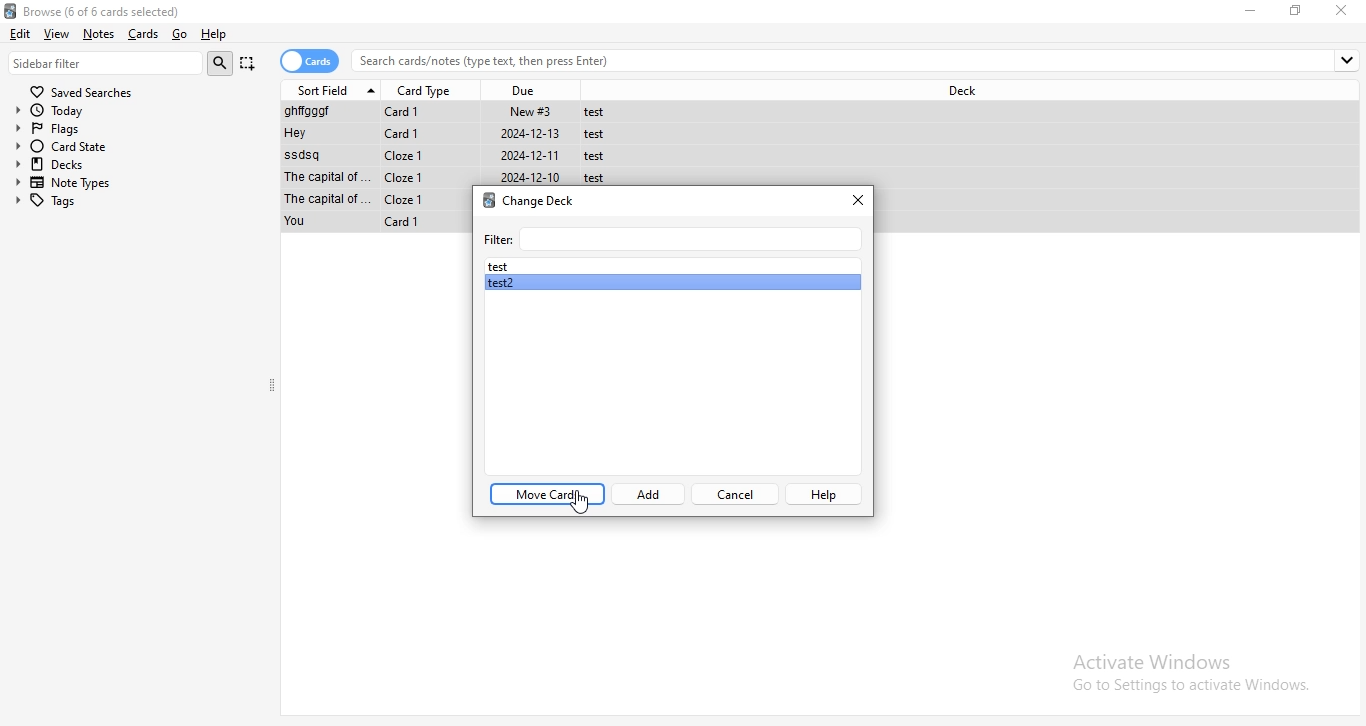 The width and height of the screenshot is (1366, 726). I want to click on flags, so click(131, 129).